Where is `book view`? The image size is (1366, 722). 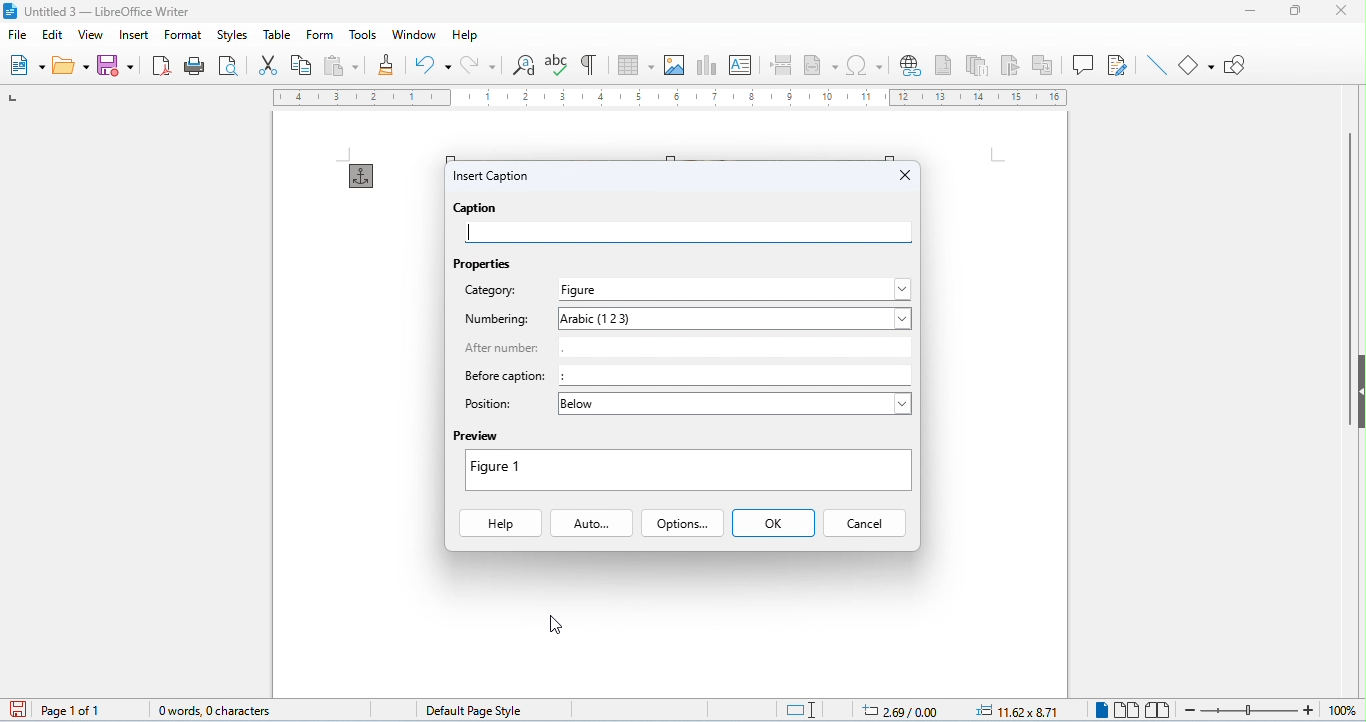 book view is located at coordinates (1157, 710).